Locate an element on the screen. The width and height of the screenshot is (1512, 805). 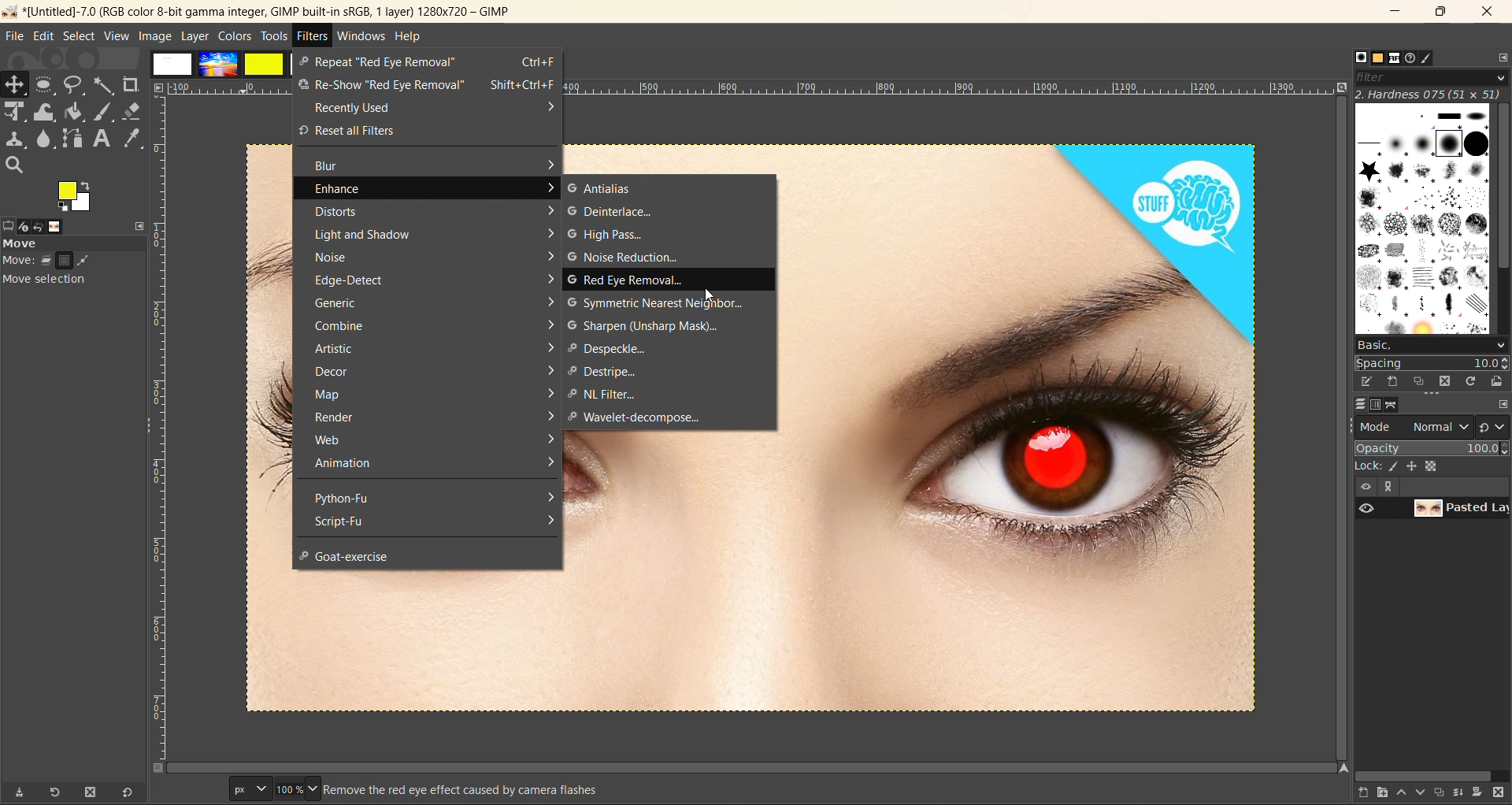
reset all filters is located at coordinates (431, 129).